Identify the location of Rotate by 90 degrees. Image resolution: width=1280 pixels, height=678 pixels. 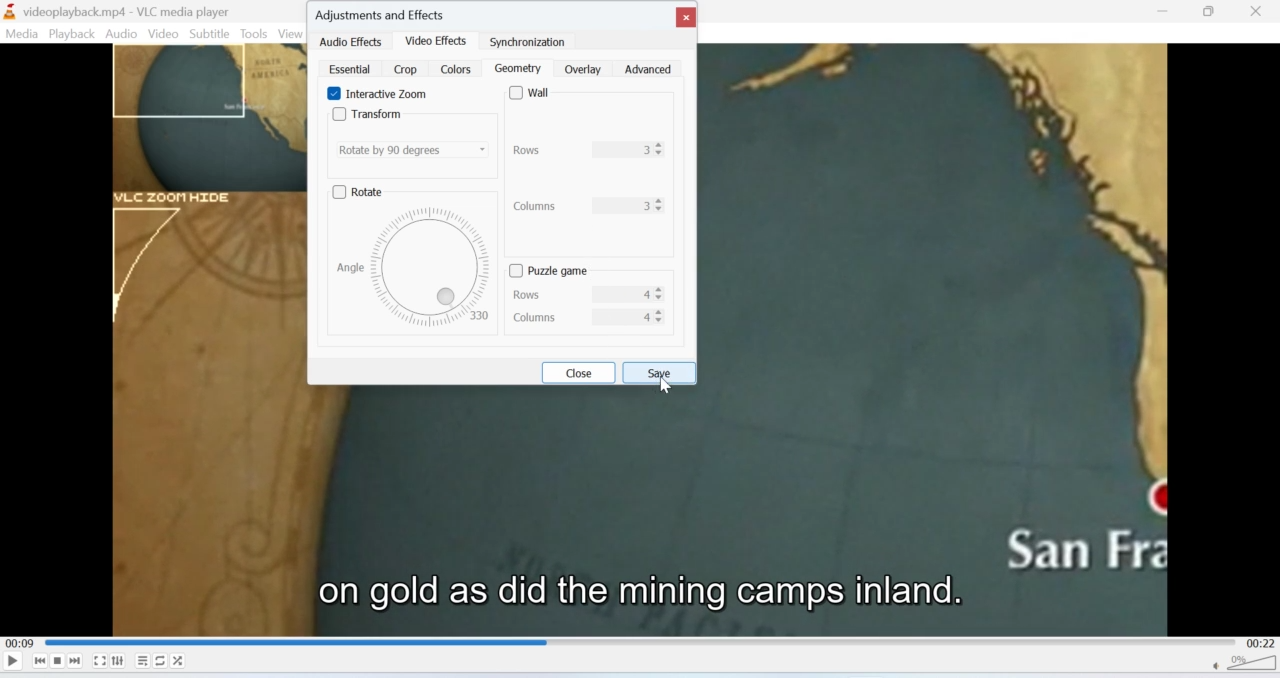
(414, 149).